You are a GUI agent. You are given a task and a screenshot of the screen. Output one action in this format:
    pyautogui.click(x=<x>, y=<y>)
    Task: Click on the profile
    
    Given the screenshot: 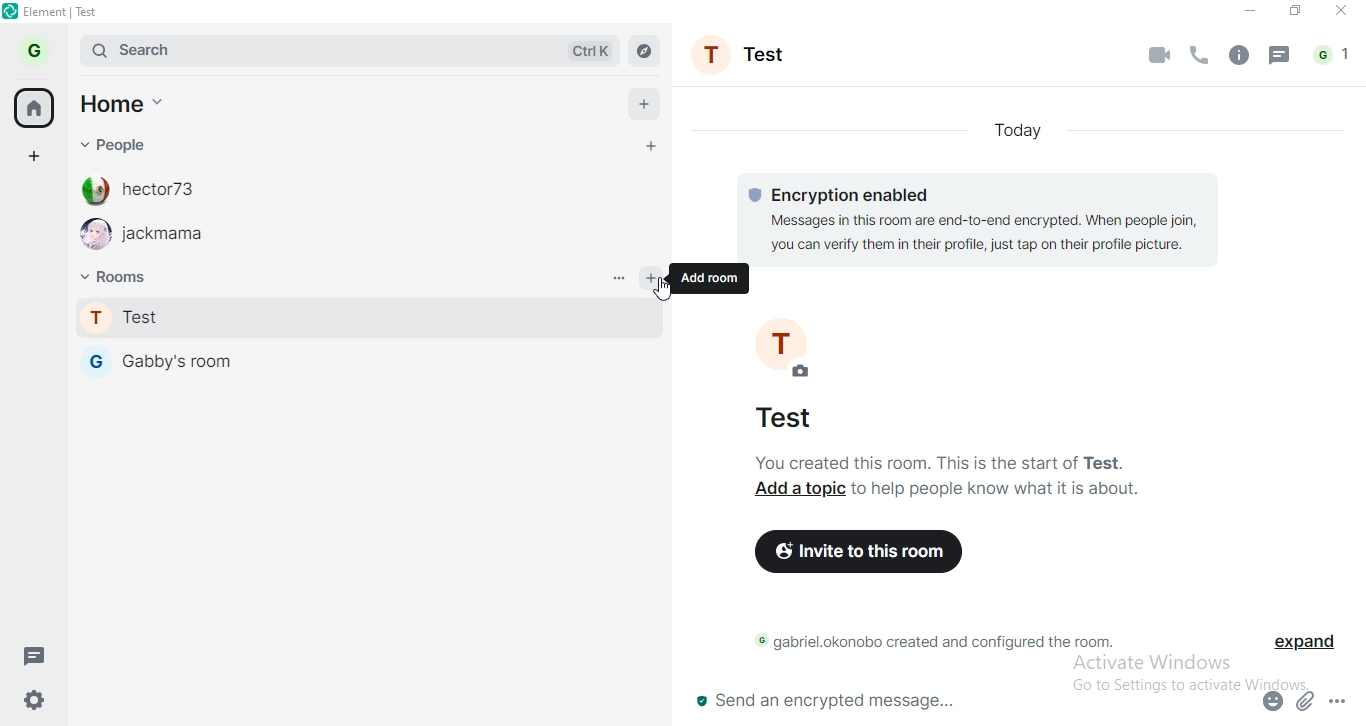 What is the action you would take?
    pyautogui.click(x=740, y=62)
    